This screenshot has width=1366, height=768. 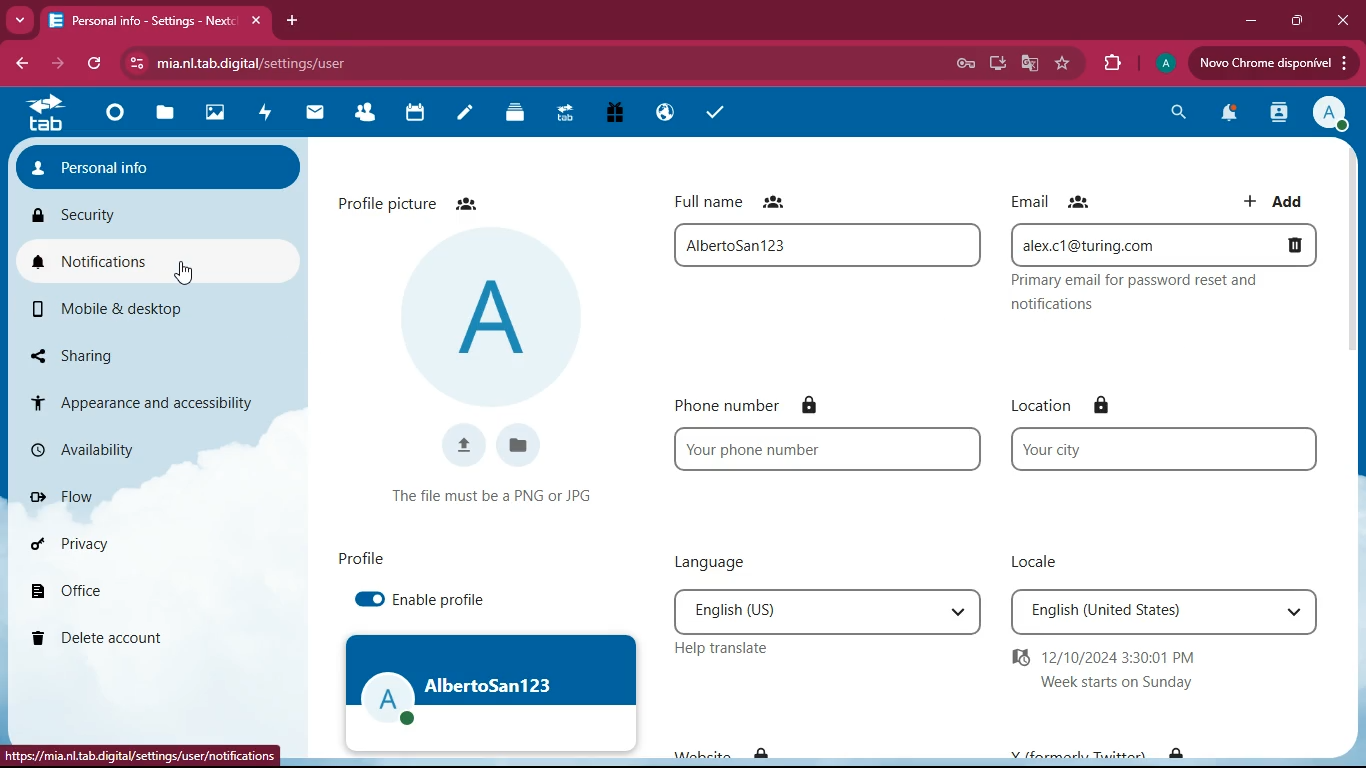 What do you see at coordinates (1164, 613) in the screenshot?
I see `locale` at bounding box center [1164, 613].